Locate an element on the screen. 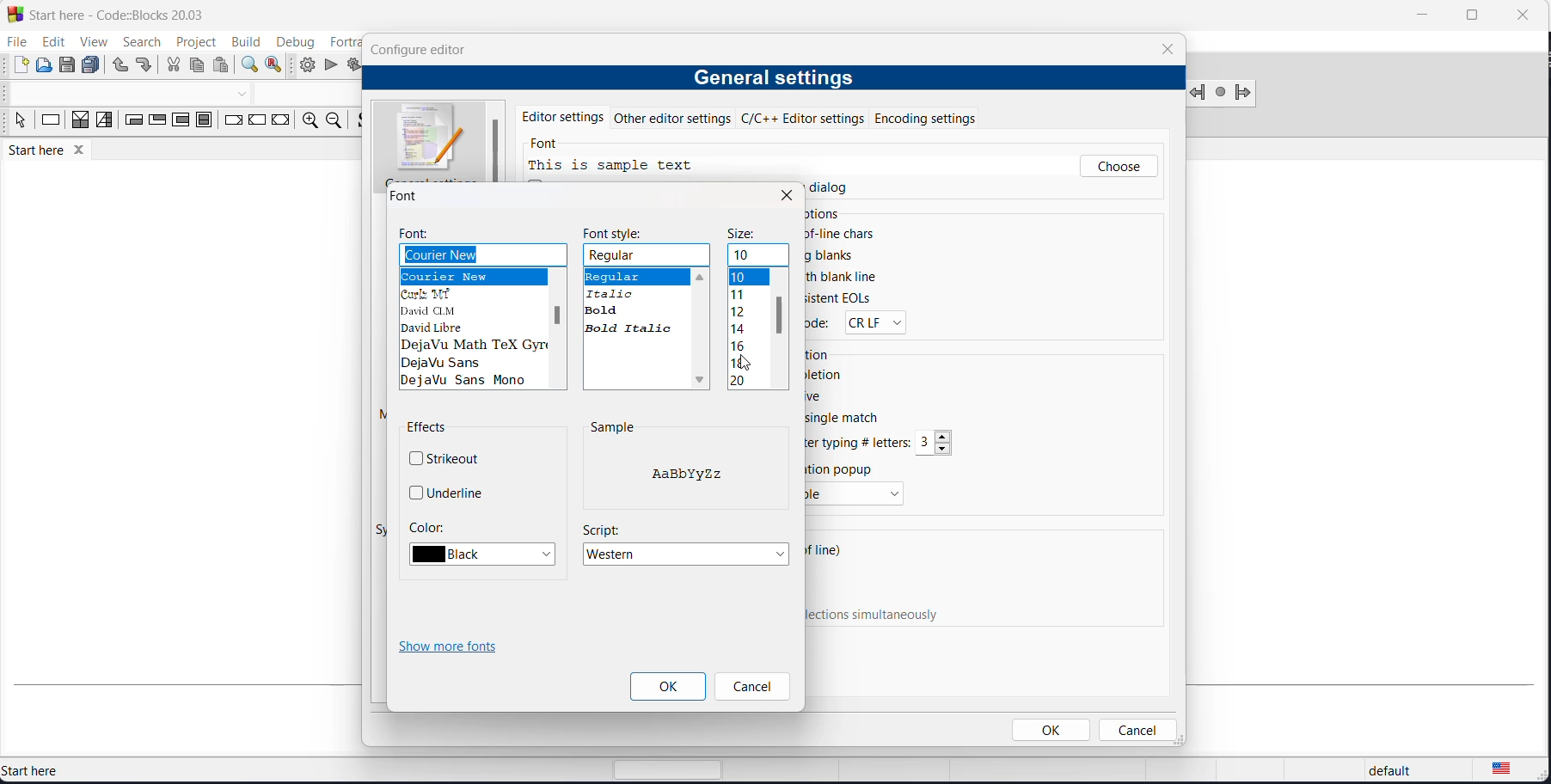  exit condition loop is located at coordinates (156, 123).